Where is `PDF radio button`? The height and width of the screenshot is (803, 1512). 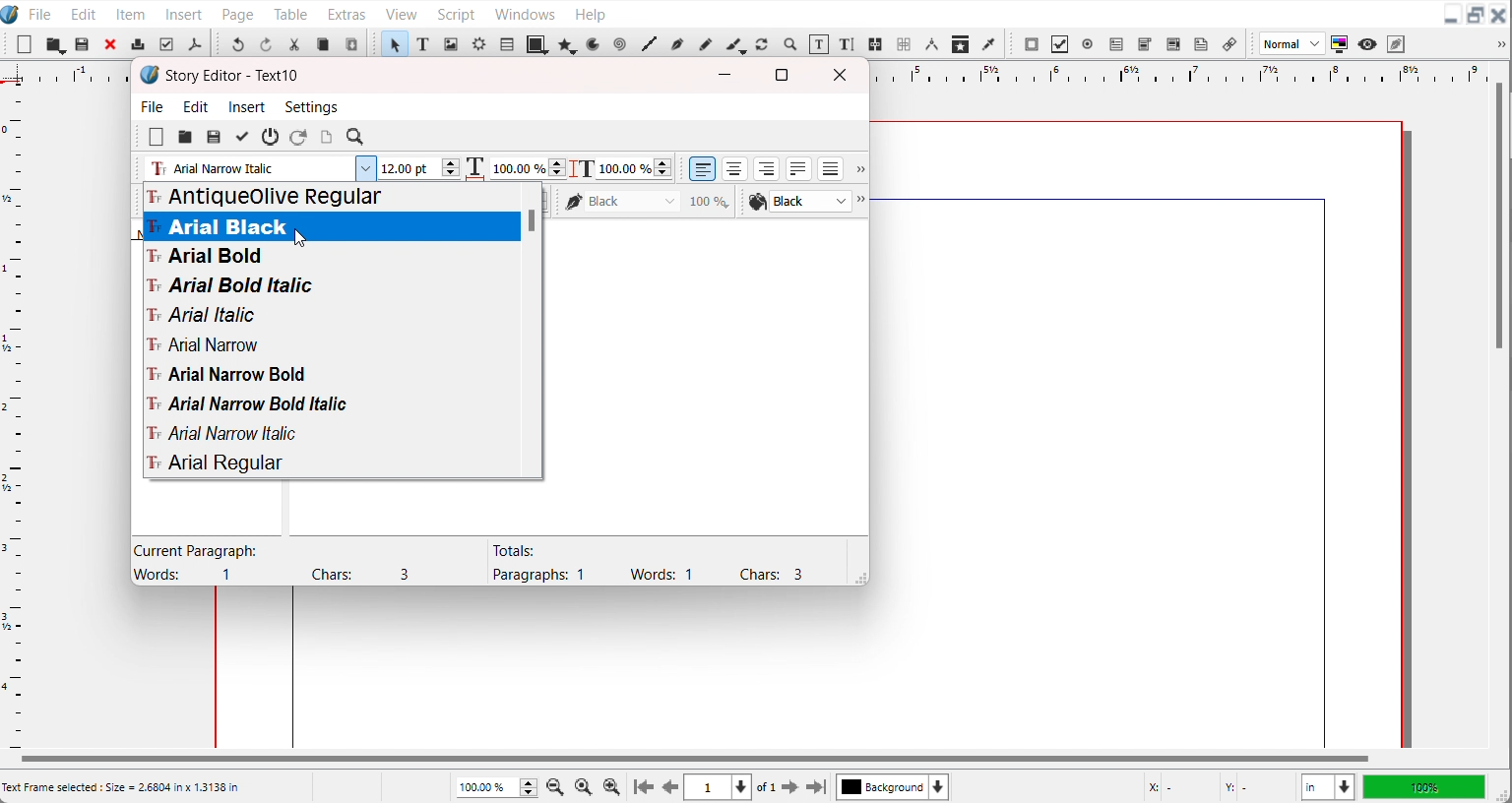 PDF radio button is located at coordinates (1087, 44).